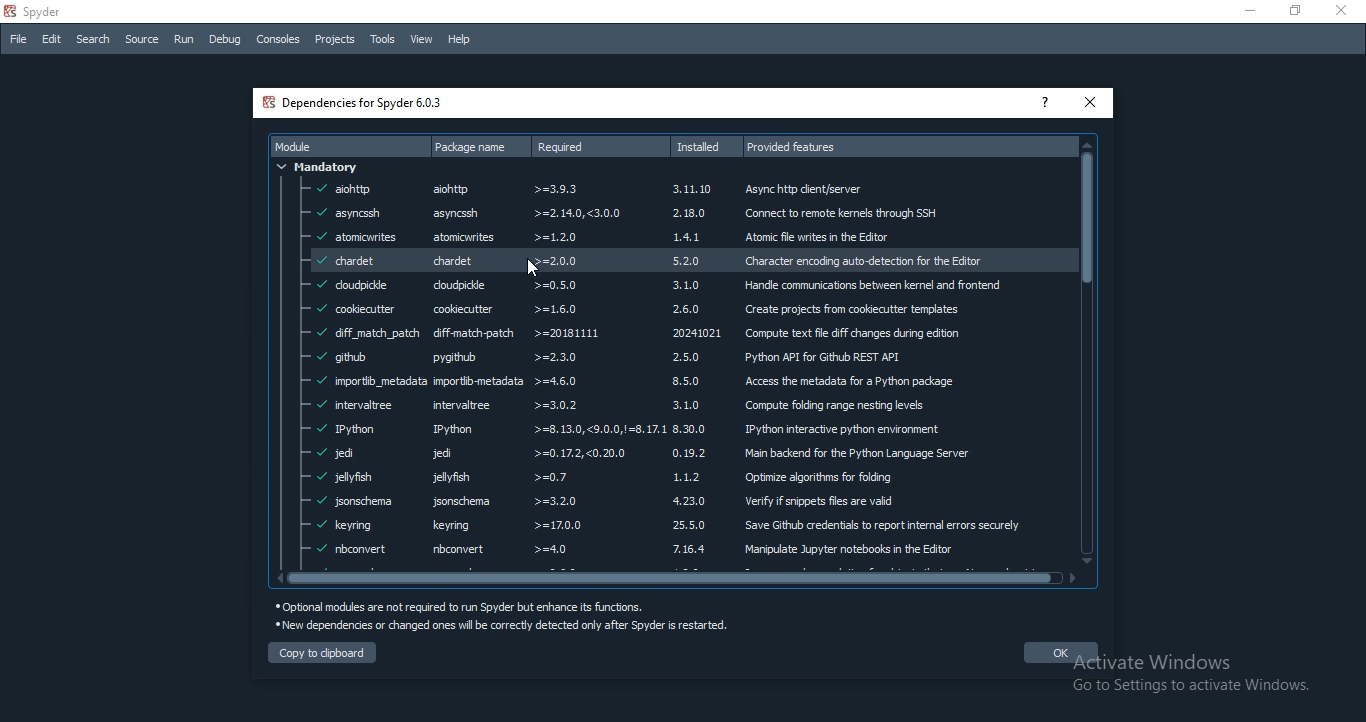 This screenshot has width=1366, height=722. What do you see at coordinates (1297, 12) in the screenshot?
I see `Restore` at bounding box center [1297, 12].